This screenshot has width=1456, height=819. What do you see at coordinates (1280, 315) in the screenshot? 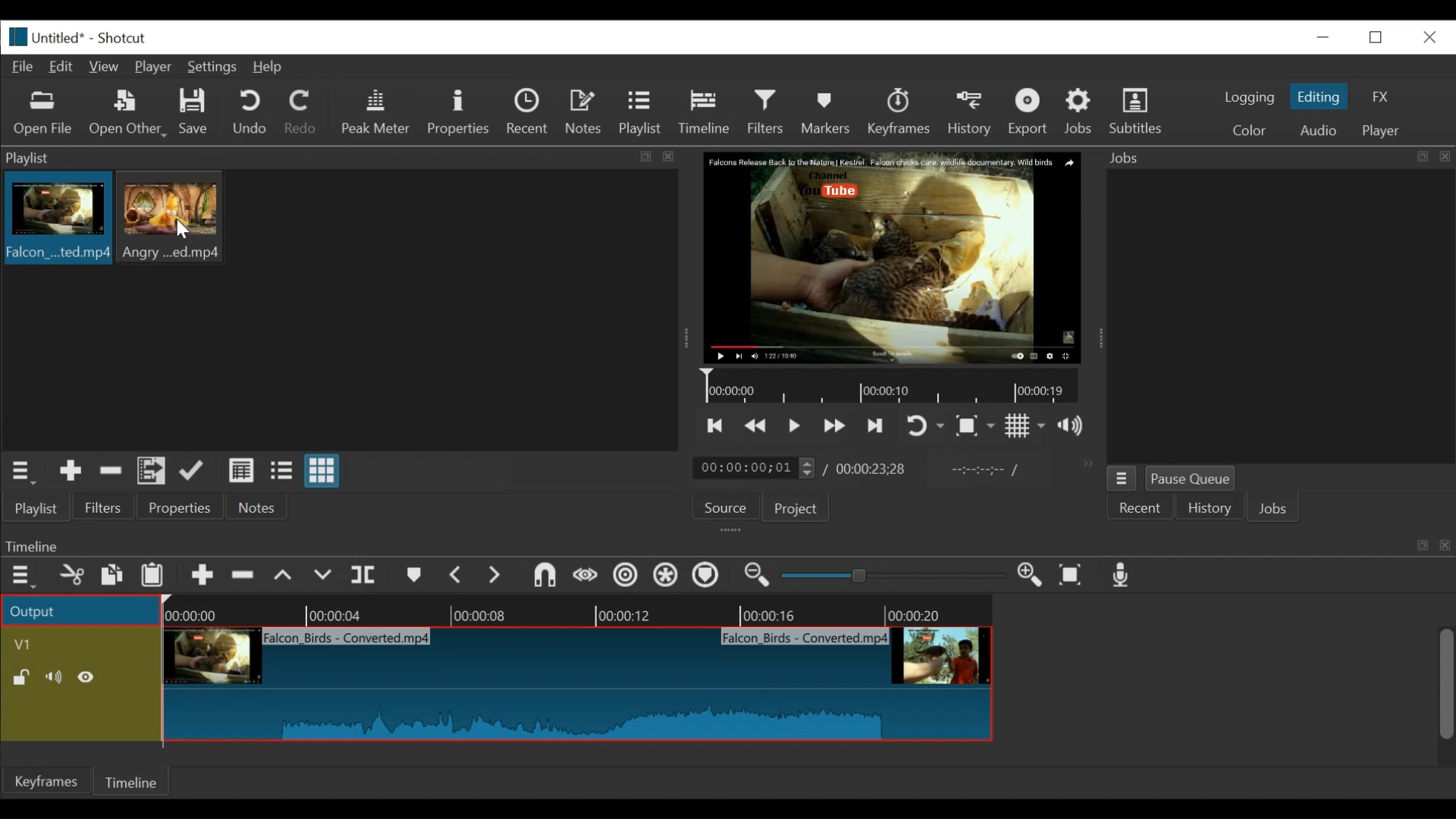
I see `jobs panel` at bounding box center [1280, 315].